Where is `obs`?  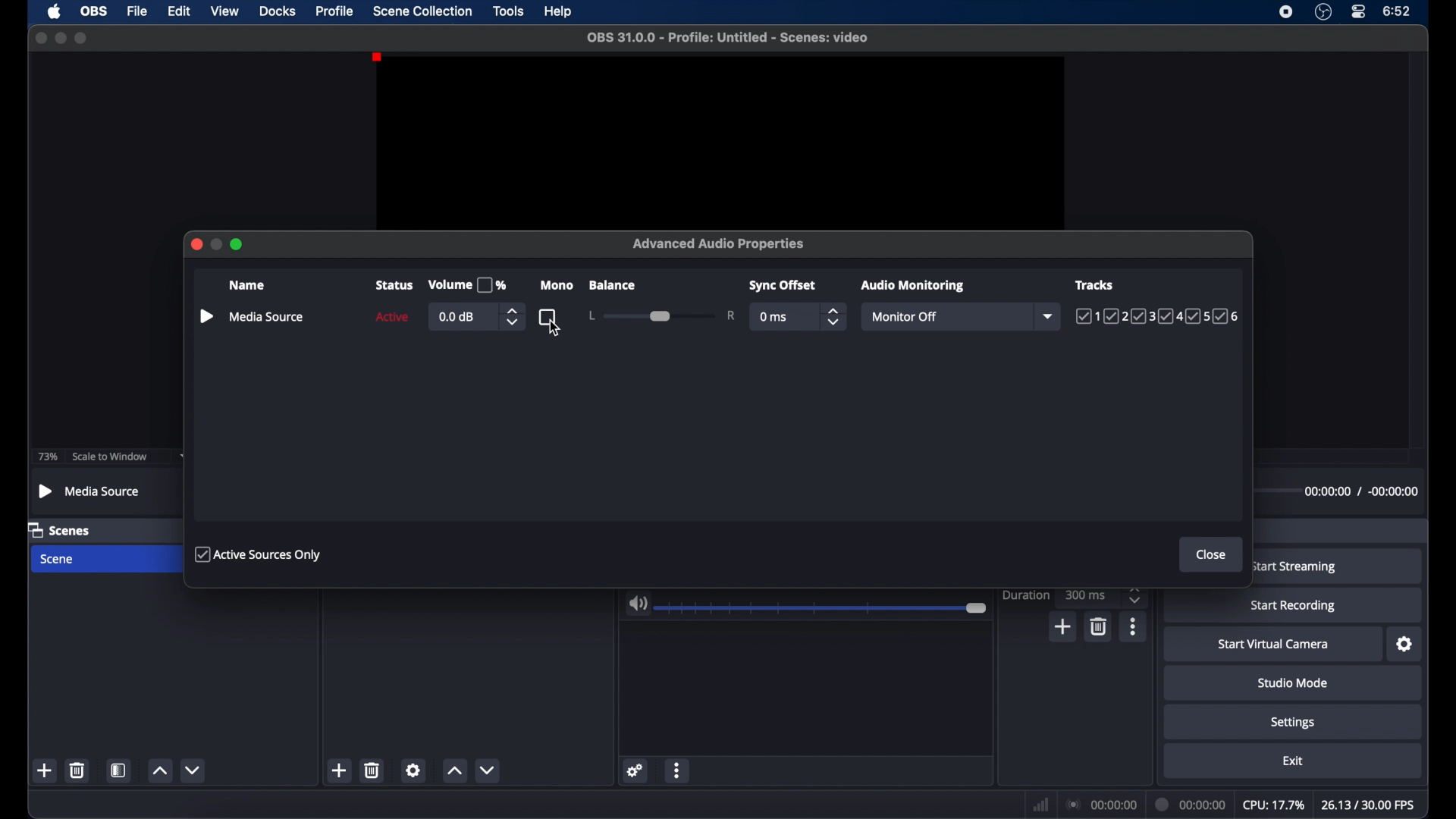
obs is located at coordinates (96, 11).